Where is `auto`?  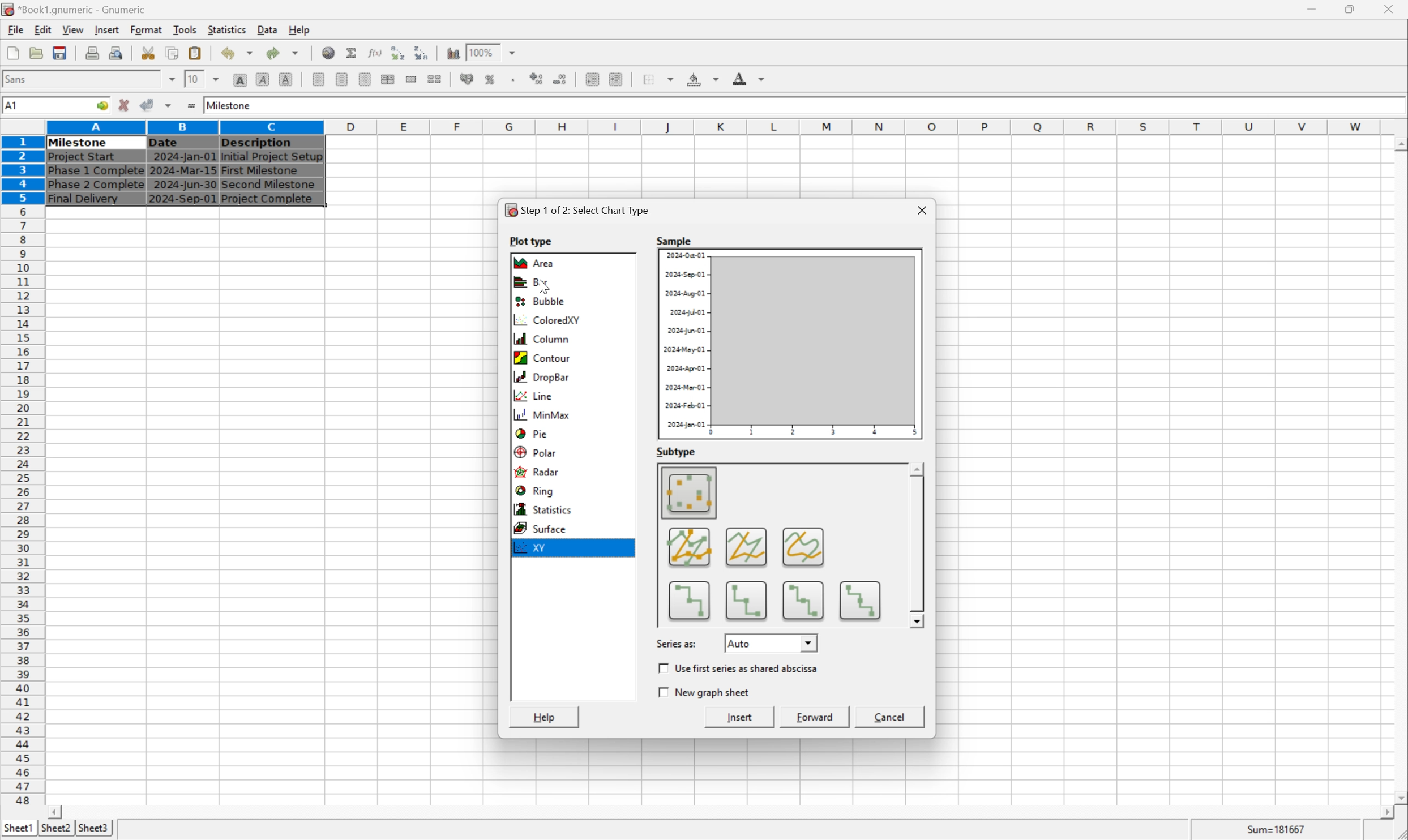
auto is located at coordinates (772, 642).